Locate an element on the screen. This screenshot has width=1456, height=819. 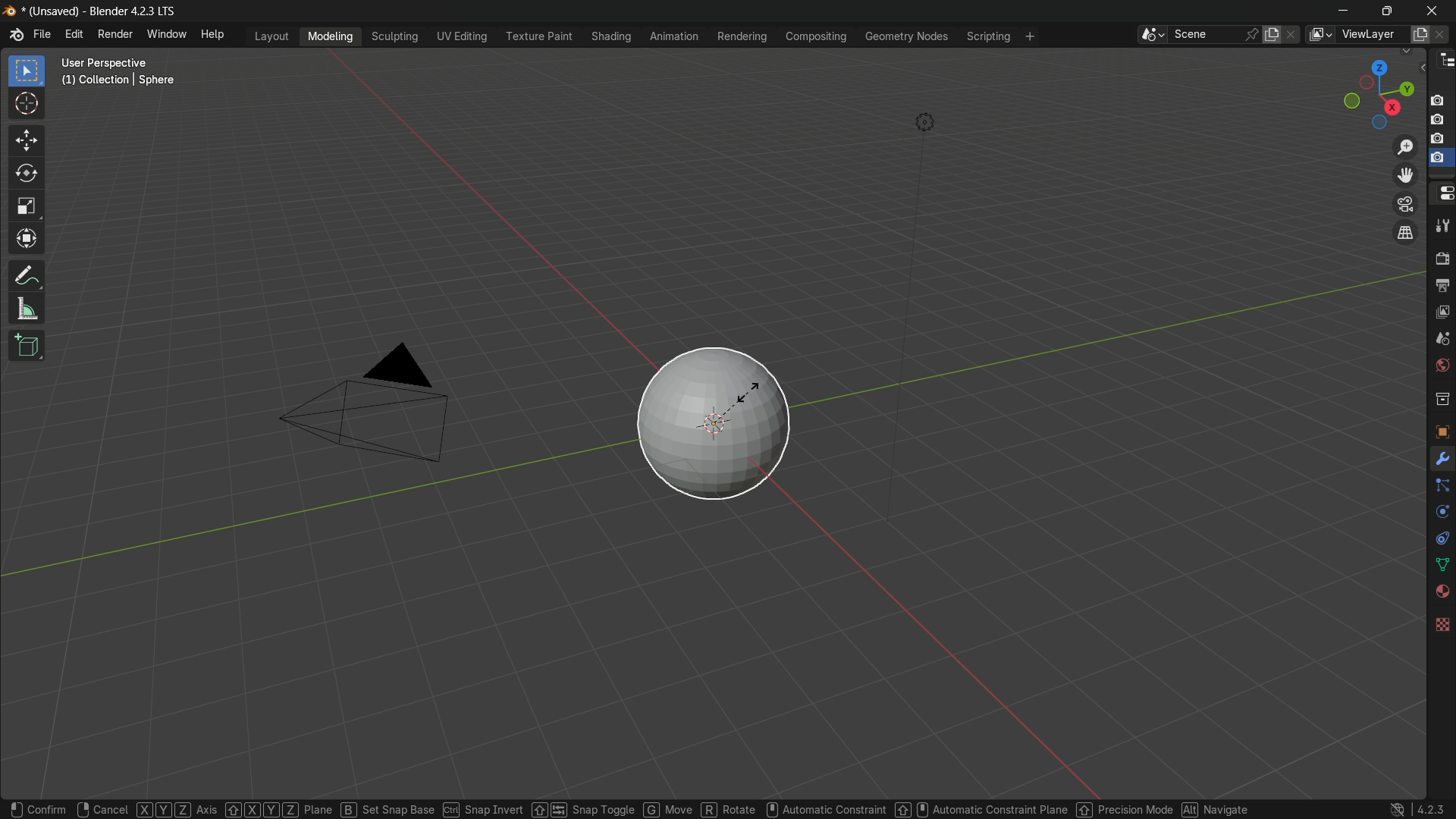
zoom in/out is located at coordinates (1404, 148).